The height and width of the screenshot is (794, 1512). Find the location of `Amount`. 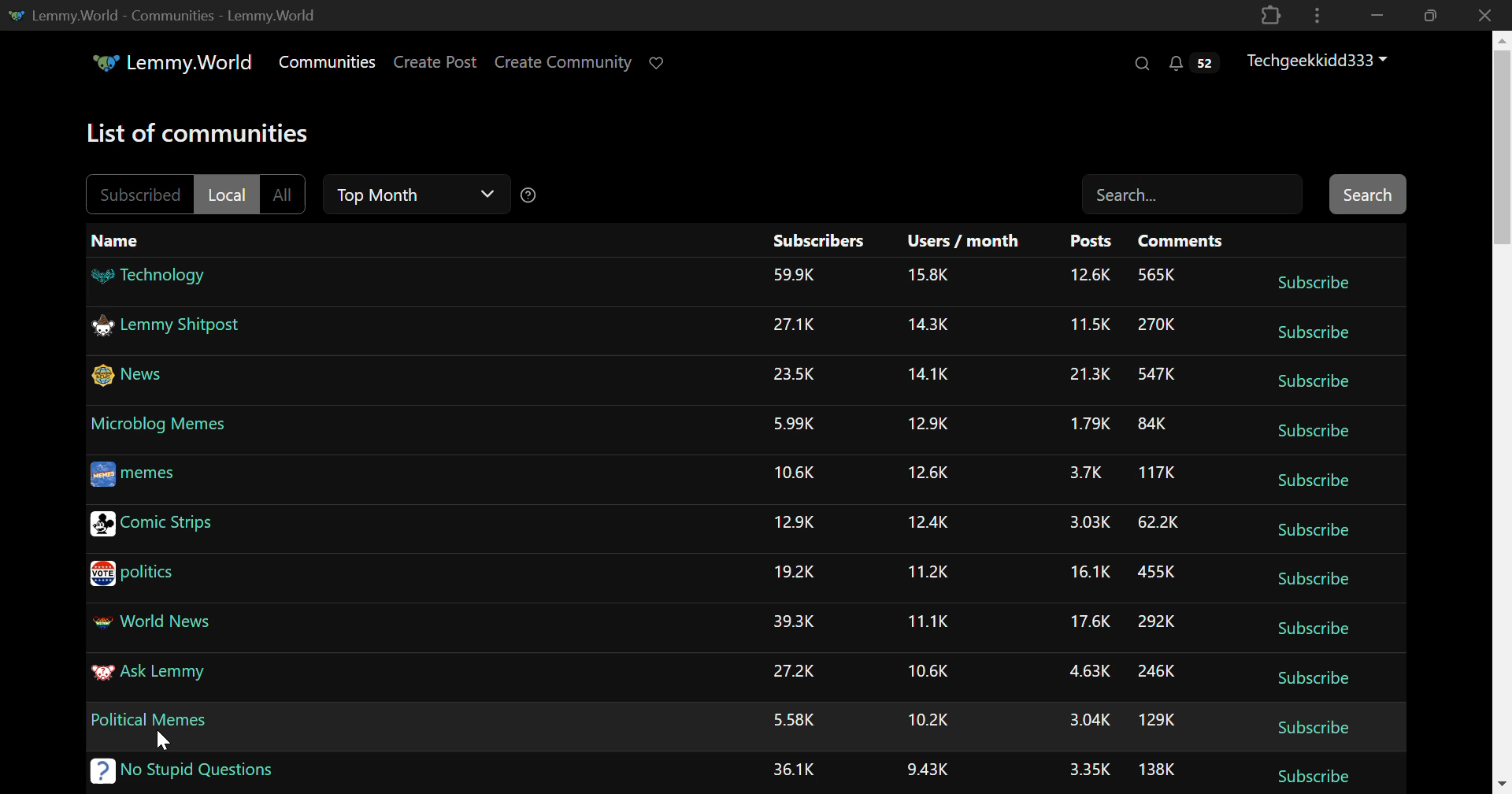

Amount is located at coordinates (928, 770).